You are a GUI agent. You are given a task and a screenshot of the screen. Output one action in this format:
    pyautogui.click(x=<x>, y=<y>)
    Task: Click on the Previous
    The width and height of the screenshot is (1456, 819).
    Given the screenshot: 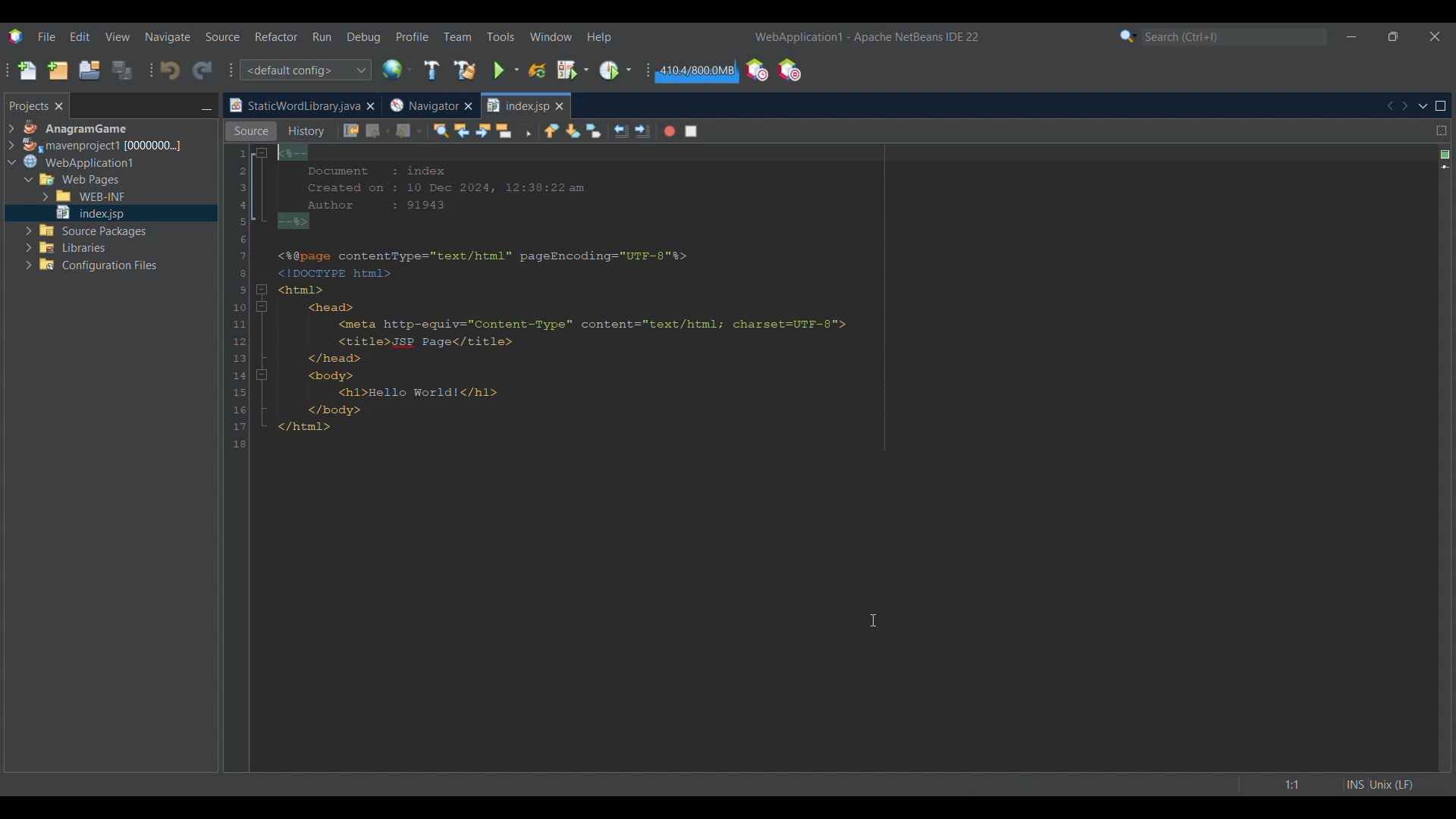 What is the action you would take?
    pyautogui.click(x=1389, y=106)
    